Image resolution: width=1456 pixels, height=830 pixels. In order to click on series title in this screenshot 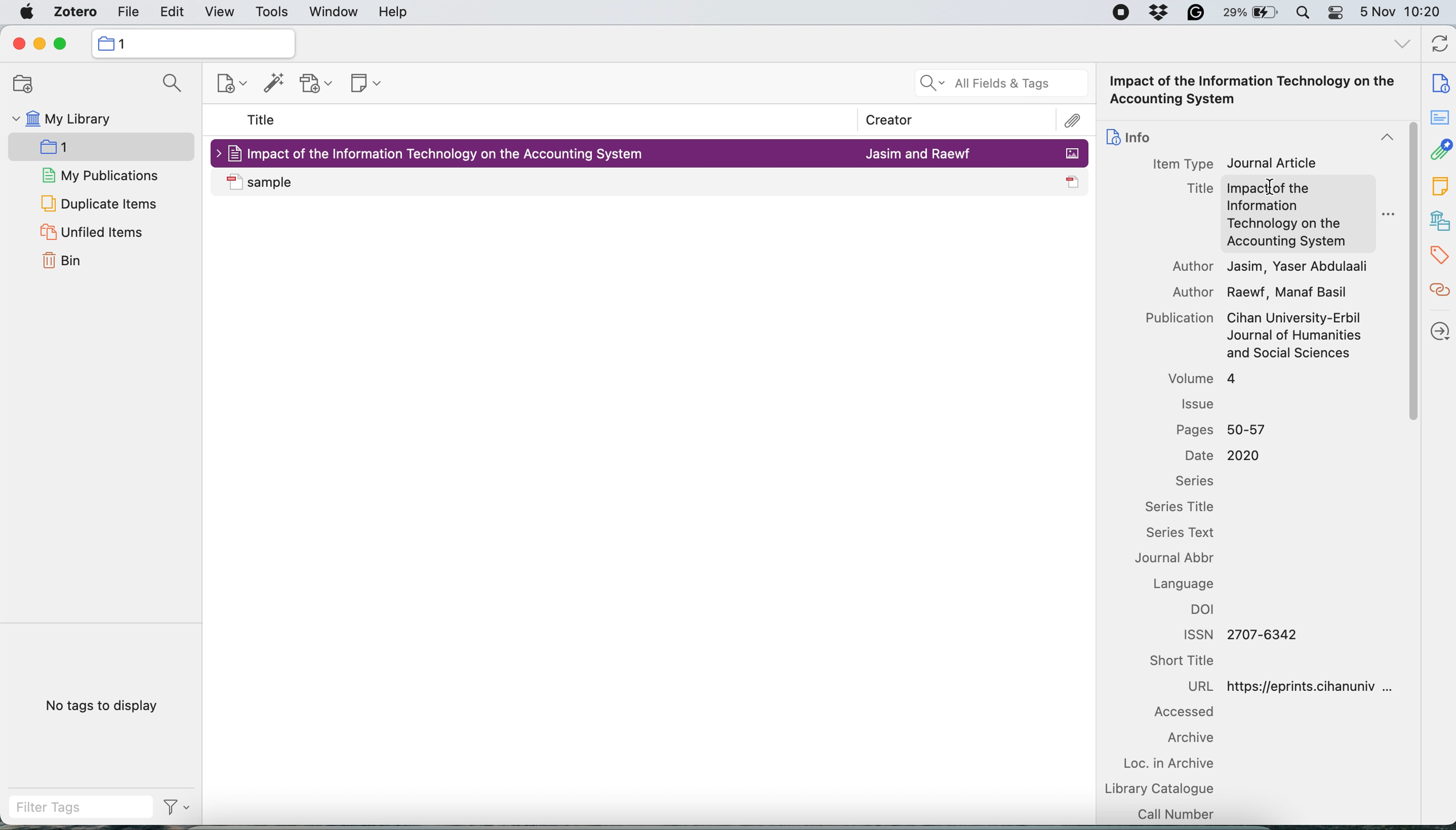, I will do `click(1183, 508)`.